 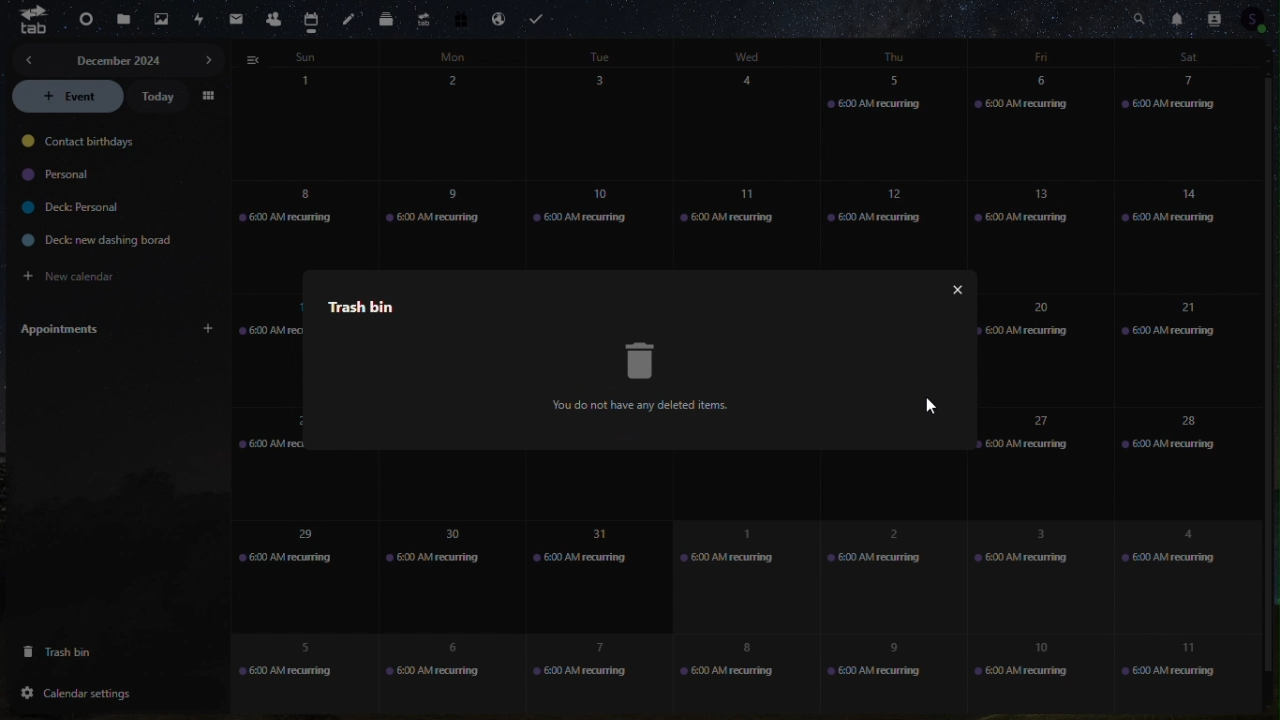 What do you see at coordinates (288, 660) in the screenshot?
I see `5` at bounding box center [288, 660].